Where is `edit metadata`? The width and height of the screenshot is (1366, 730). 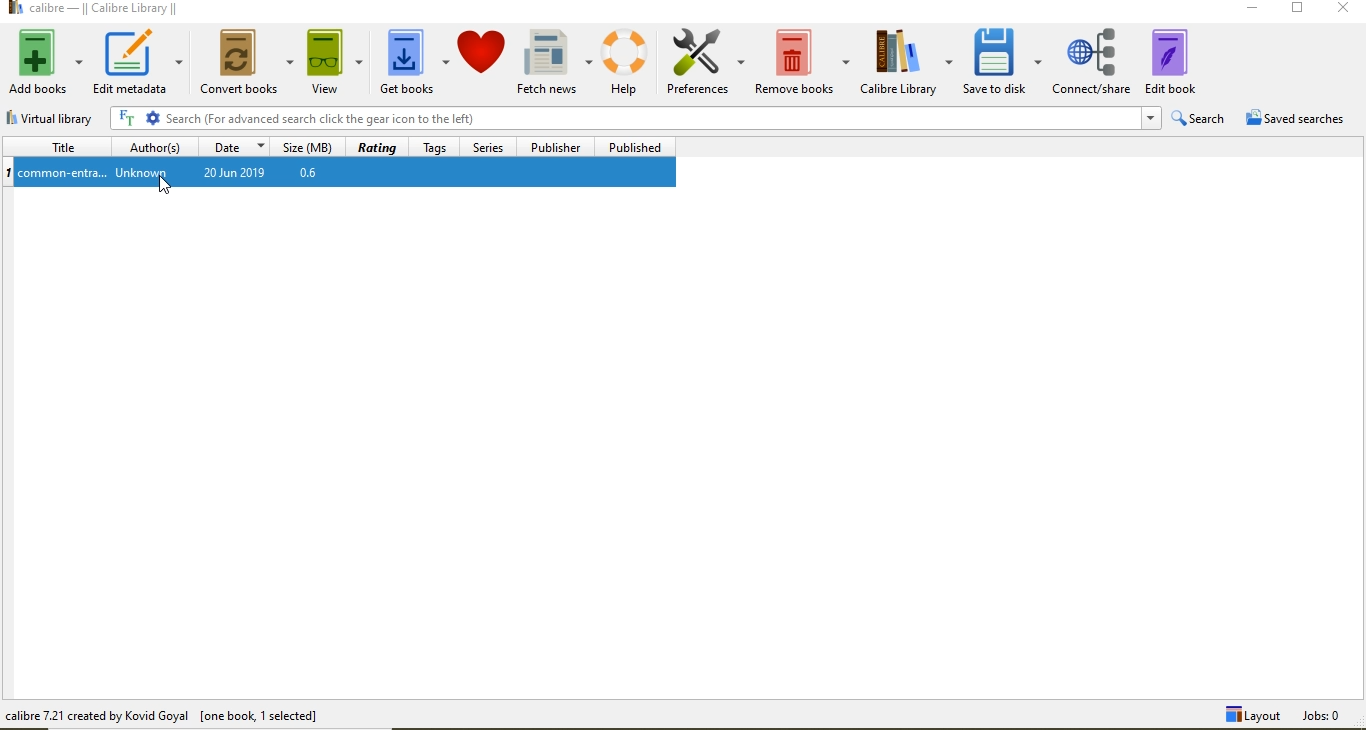 edit metadata is located at coordinates (136, 62).